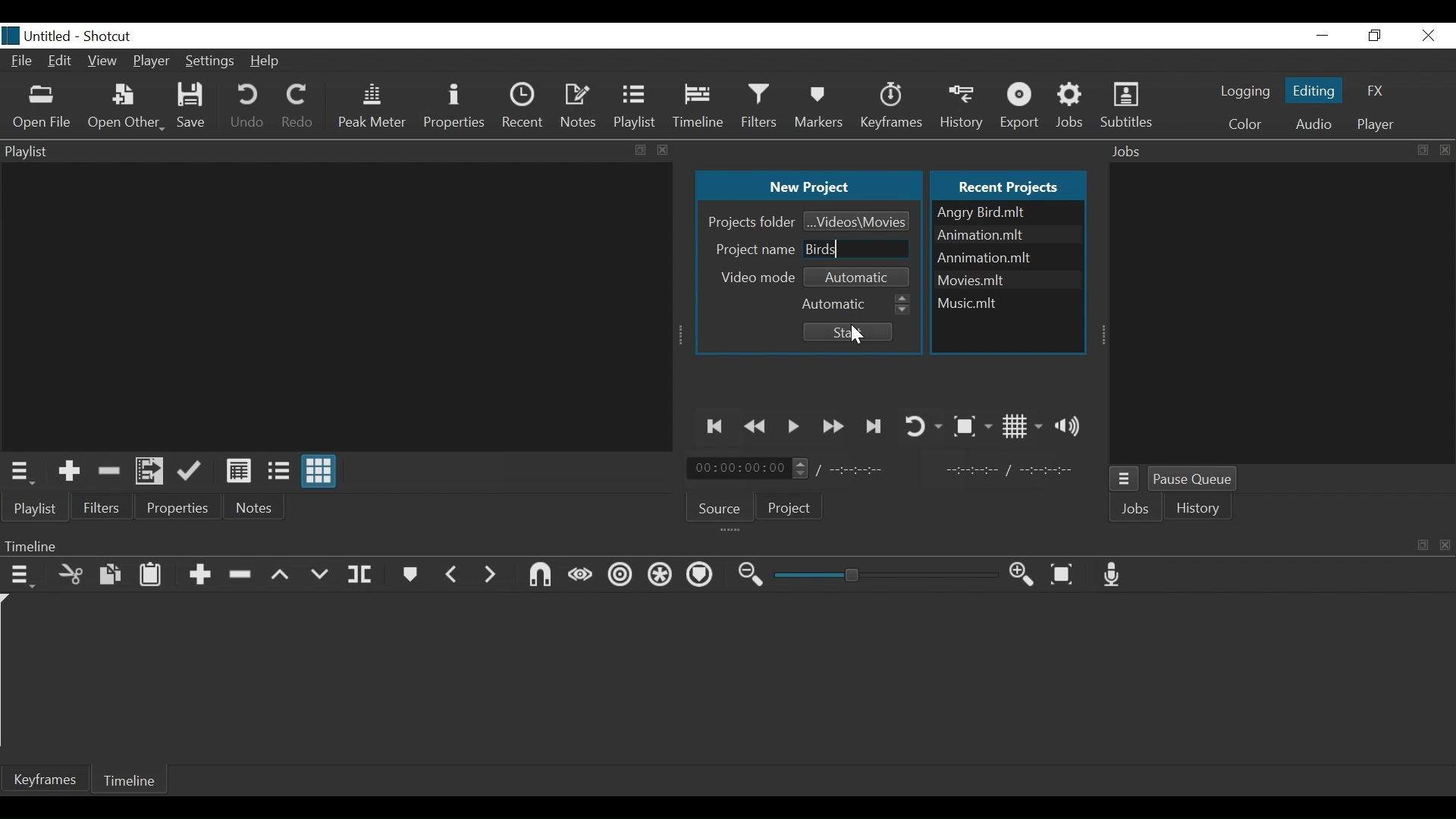 The image size is (1456, 819). I want to click on Projects Folder, so click(749, 221).